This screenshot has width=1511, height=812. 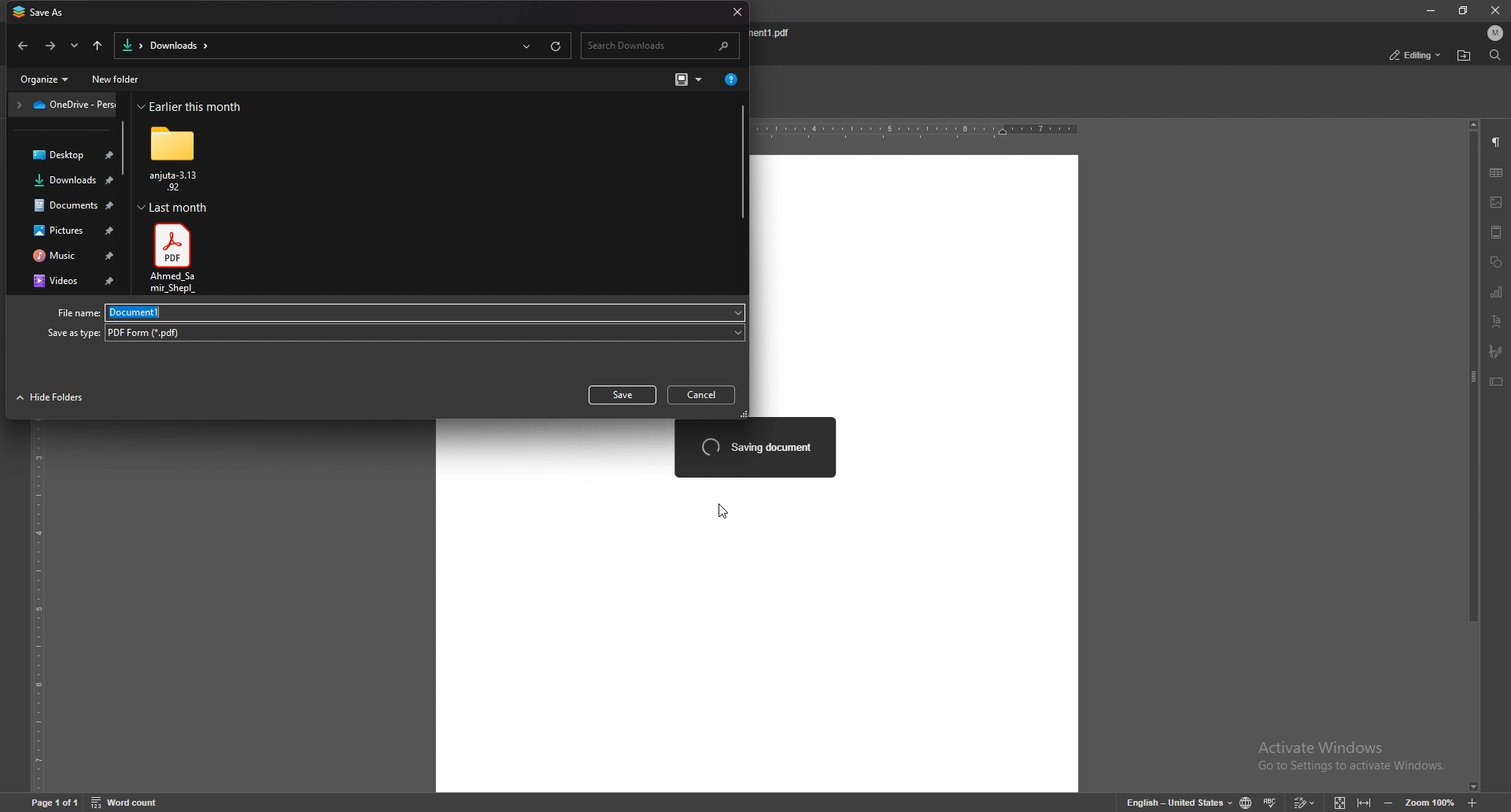 What do you see at coordinates (1416, 55) in the screenshot?
I see `status` at bounding box center [1416, 55].